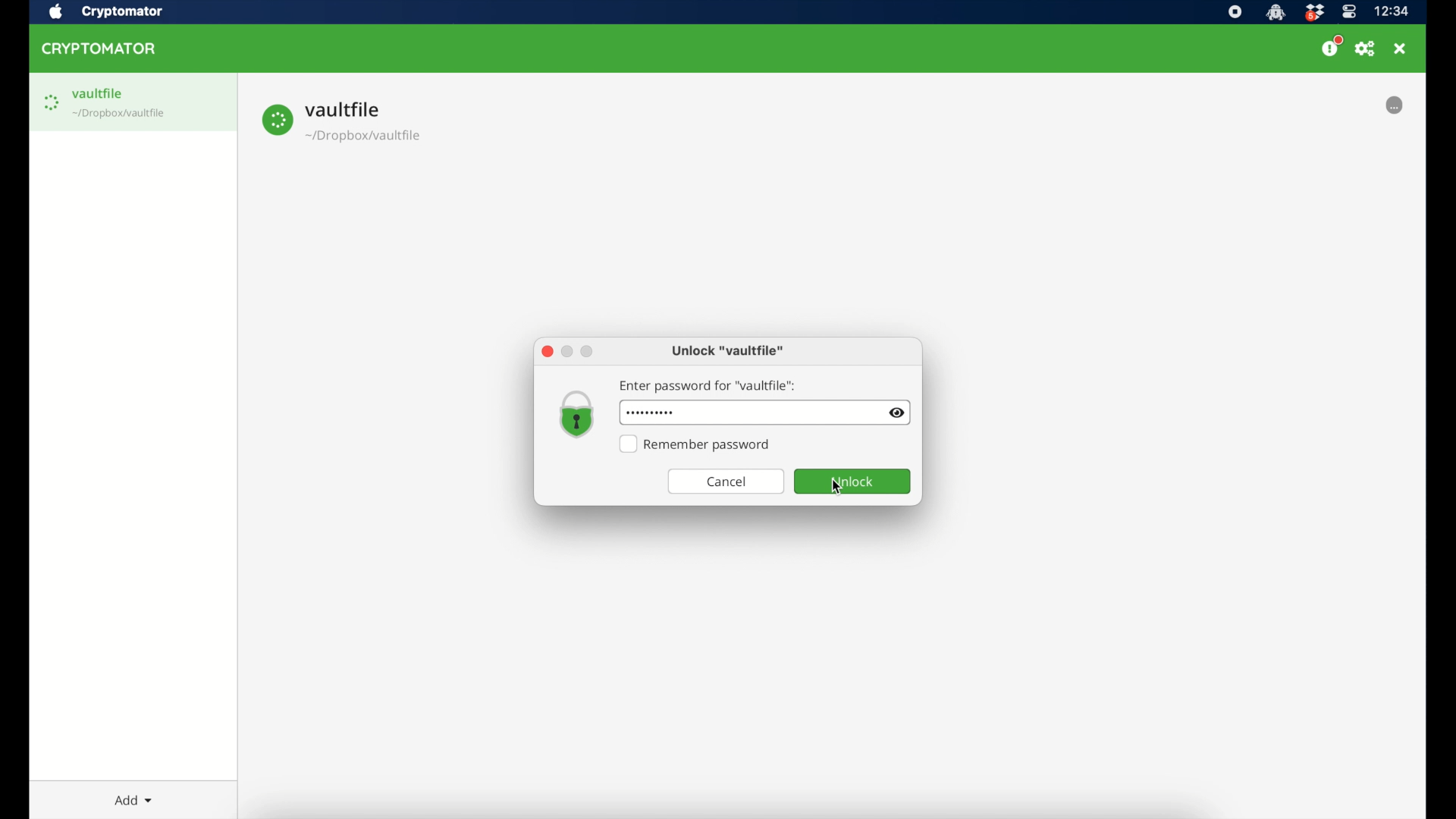  What do you see at coordinates (648, 413) in the screenshot?
I see `password` at bounding box center [648, 413].